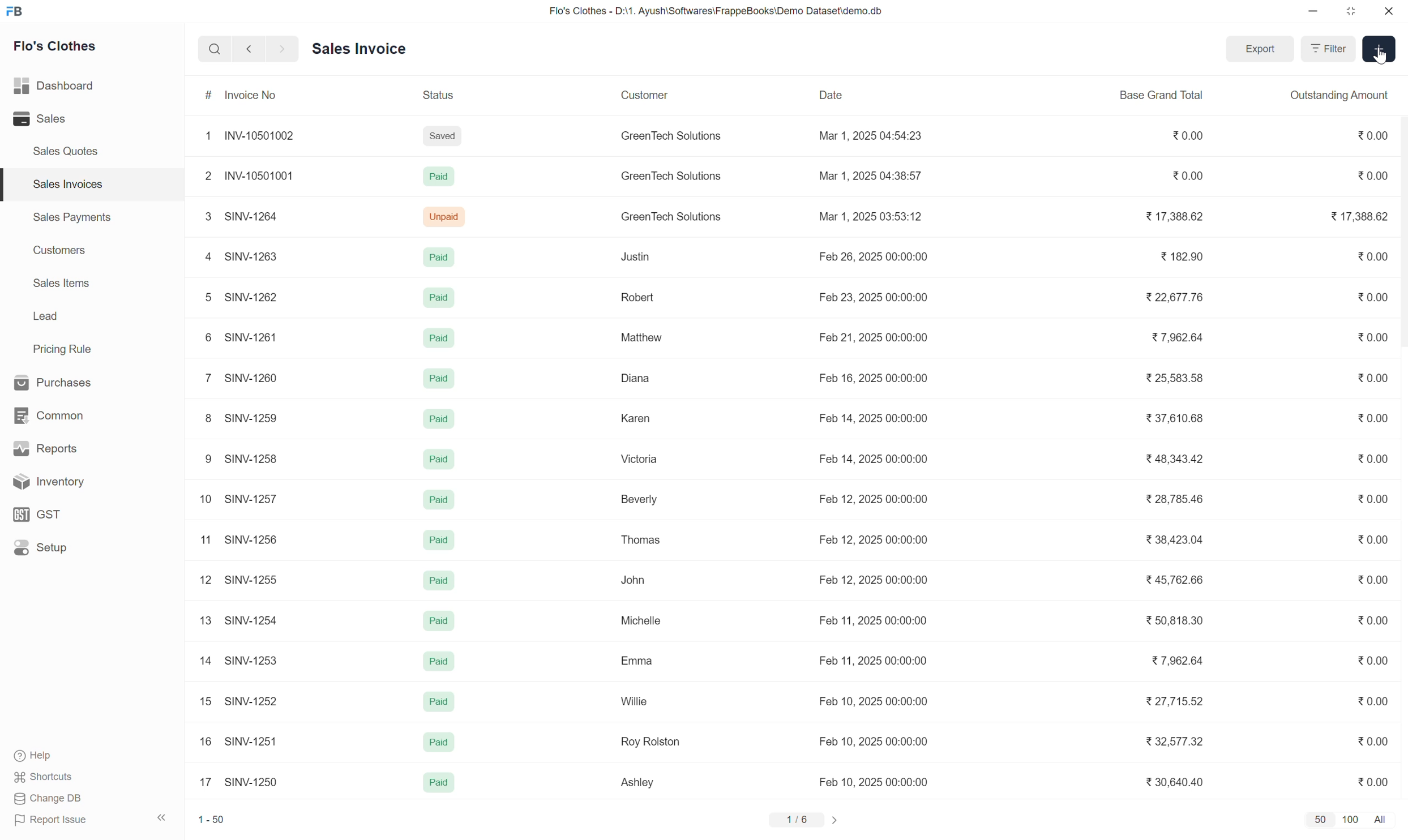 Image resolution: width=1408 pixels, height=840 pixels. What do you see at coordinates (1372, 580) in the screenshot?
I see `₹0.00` at bounding box center [1372, 580].